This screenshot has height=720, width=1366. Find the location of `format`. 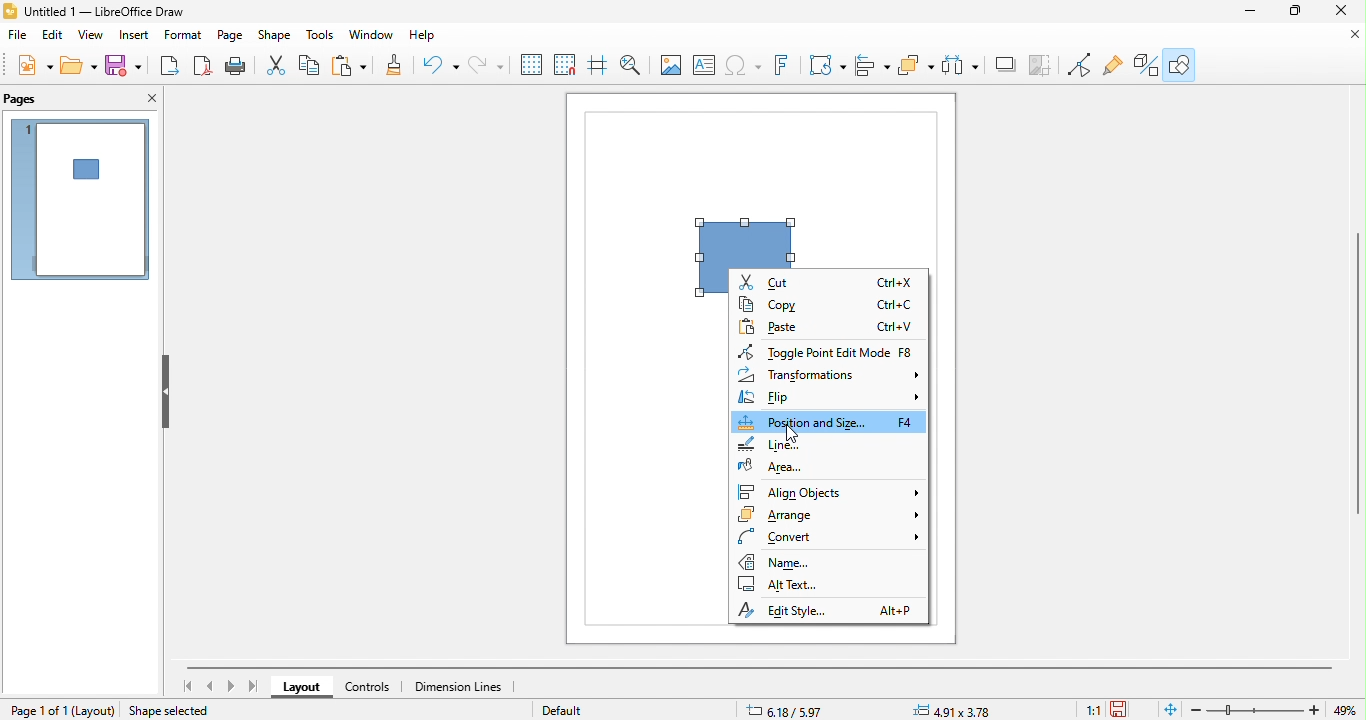

format is located at coordinates (185, 37).